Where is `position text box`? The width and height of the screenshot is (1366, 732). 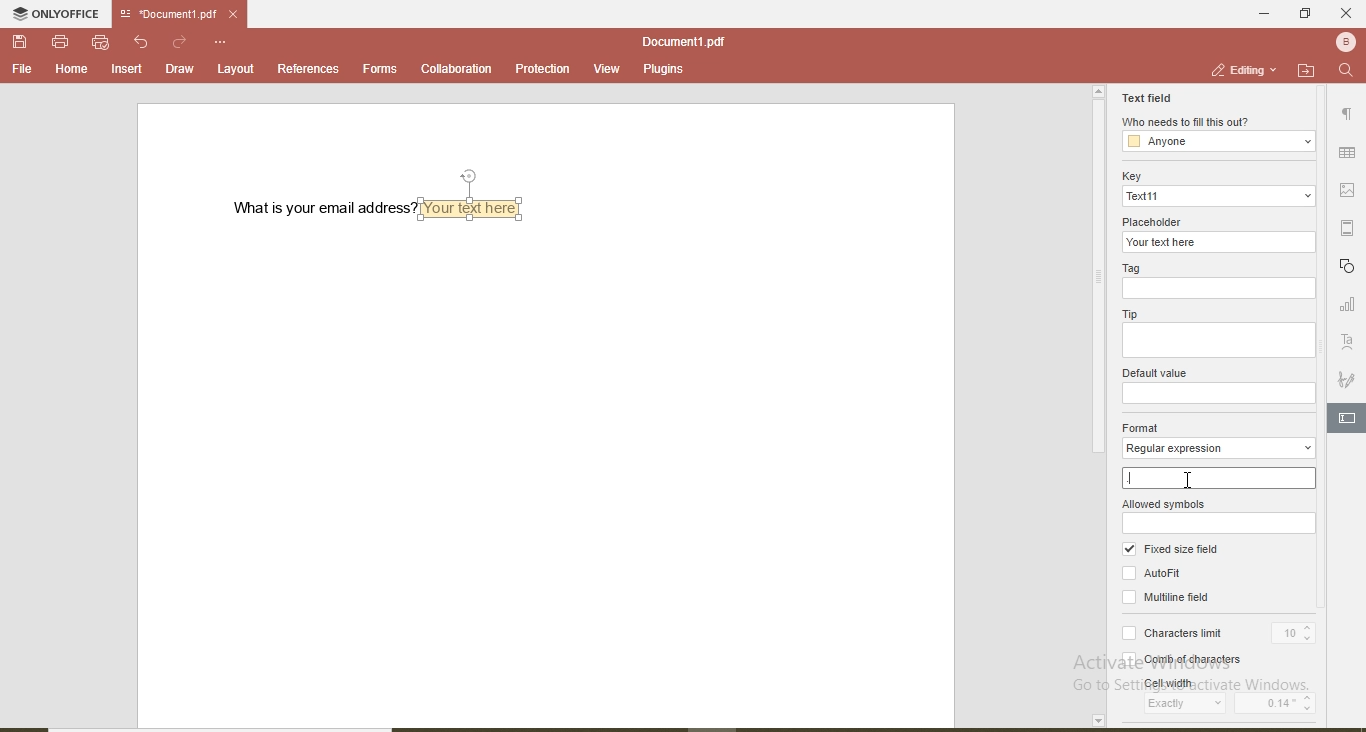
position text box is located at coordinates (473, 175).